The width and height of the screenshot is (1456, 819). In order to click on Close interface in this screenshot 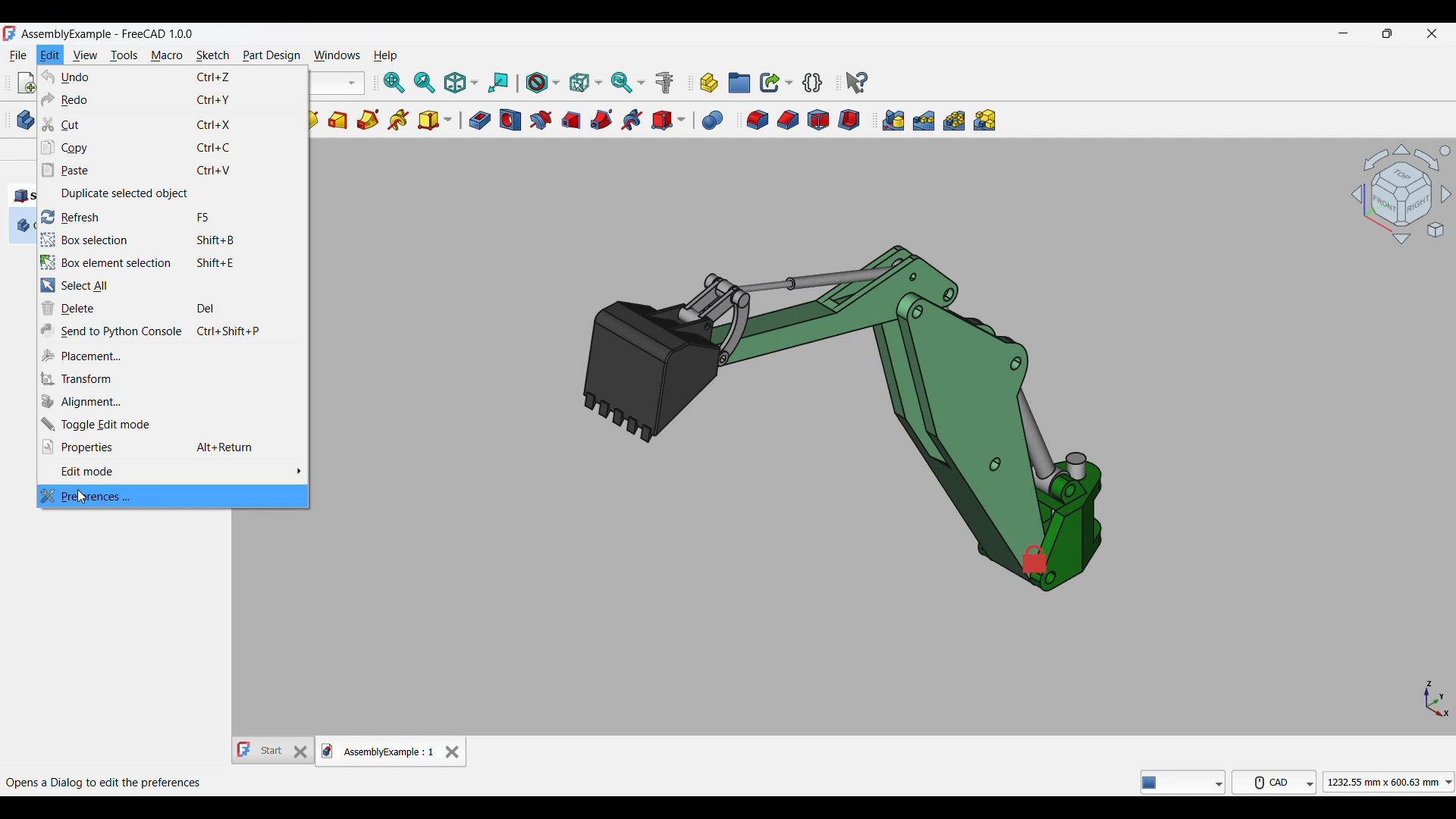, I will do `click(1432, 33)`.